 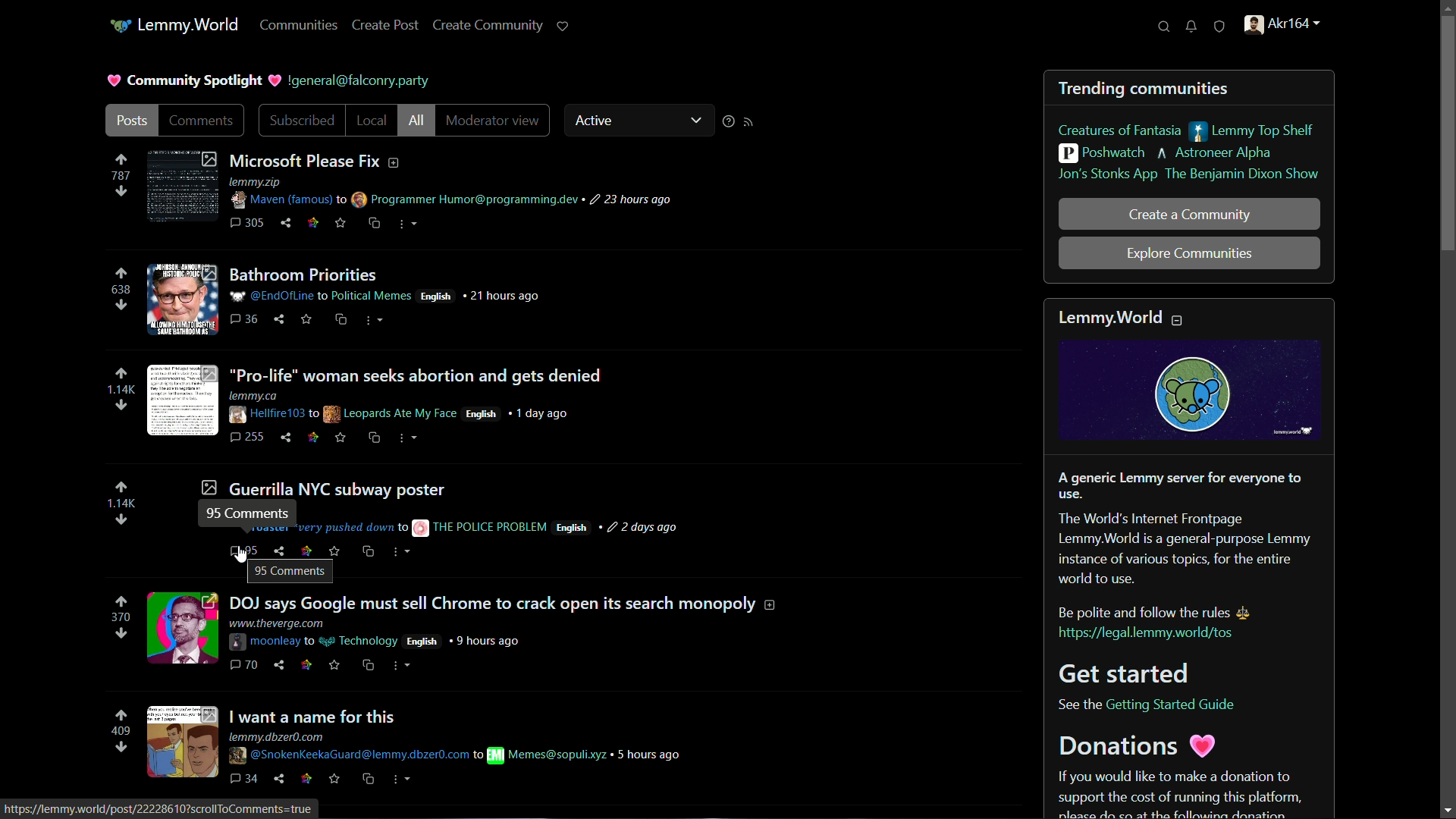 What do you see at coordinates (401, 554) in the screenshot?
I see `more options` at bounding box center [401, 554].